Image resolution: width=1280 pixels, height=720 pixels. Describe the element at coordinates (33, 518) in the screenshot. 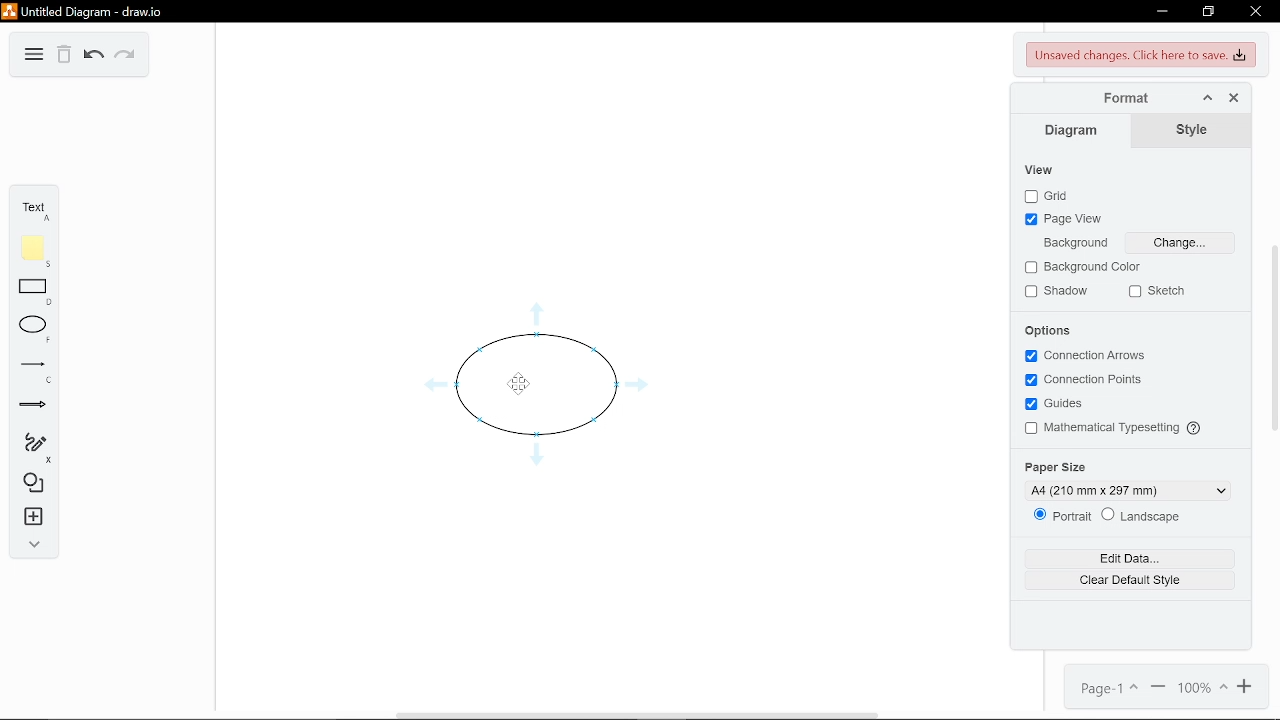

I see `insert` at that location.